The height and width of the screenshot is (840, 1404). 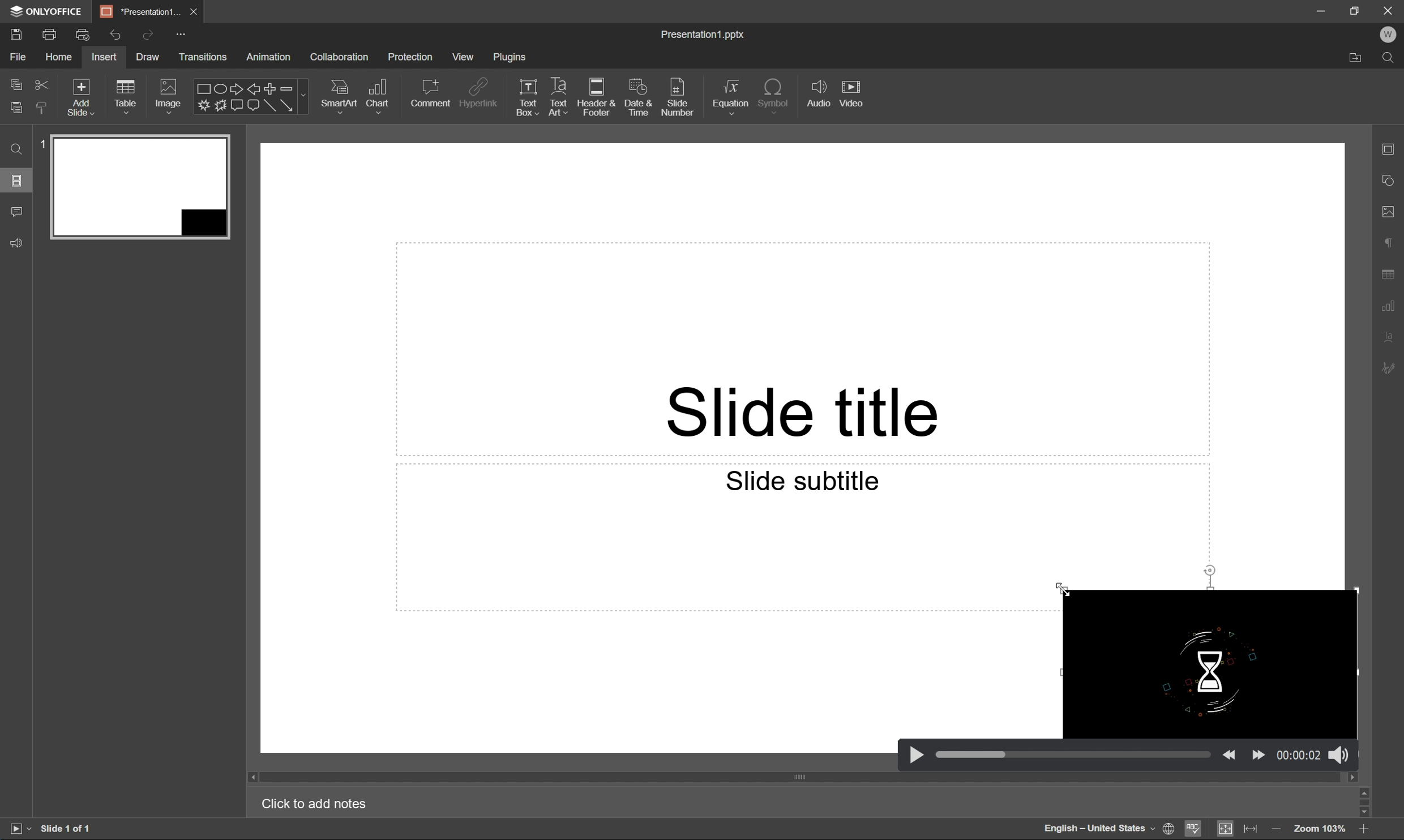 I want to click on presentation1.pptx, so click(x=701, y=35).